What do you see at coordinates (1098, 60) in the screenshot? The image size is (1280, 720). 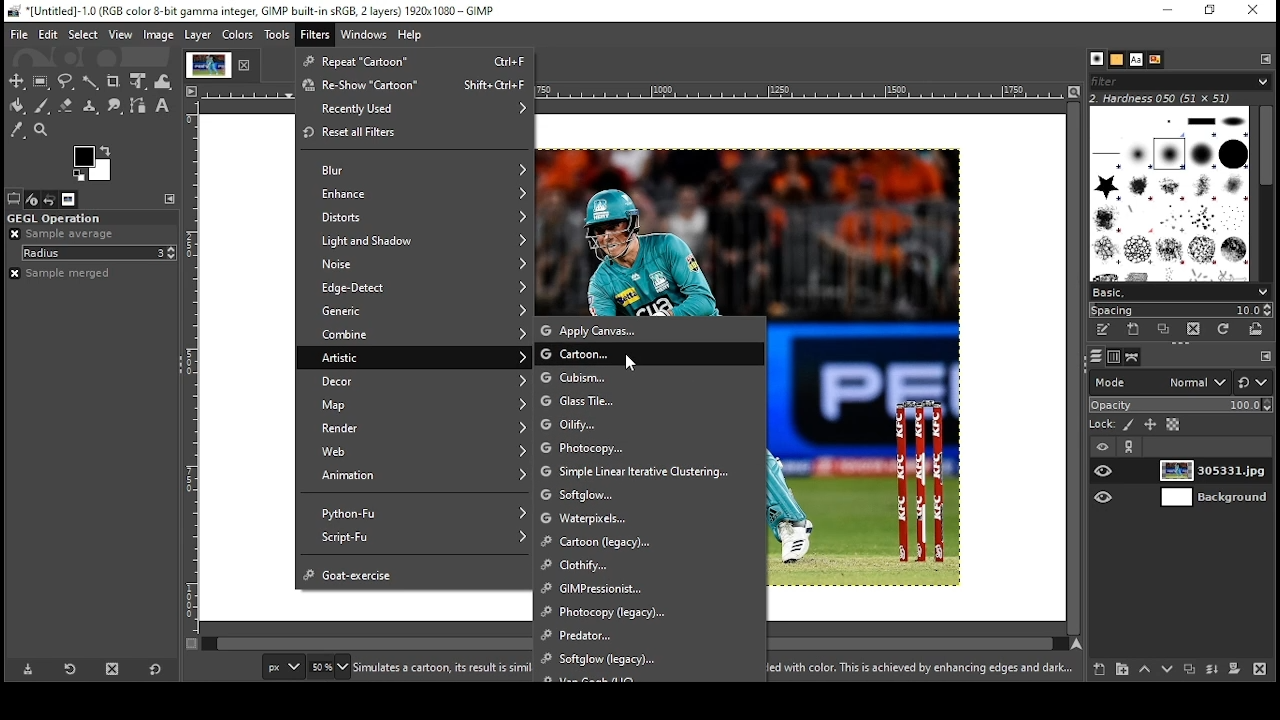 I see `brushes` at bounding box center [1098, 60].